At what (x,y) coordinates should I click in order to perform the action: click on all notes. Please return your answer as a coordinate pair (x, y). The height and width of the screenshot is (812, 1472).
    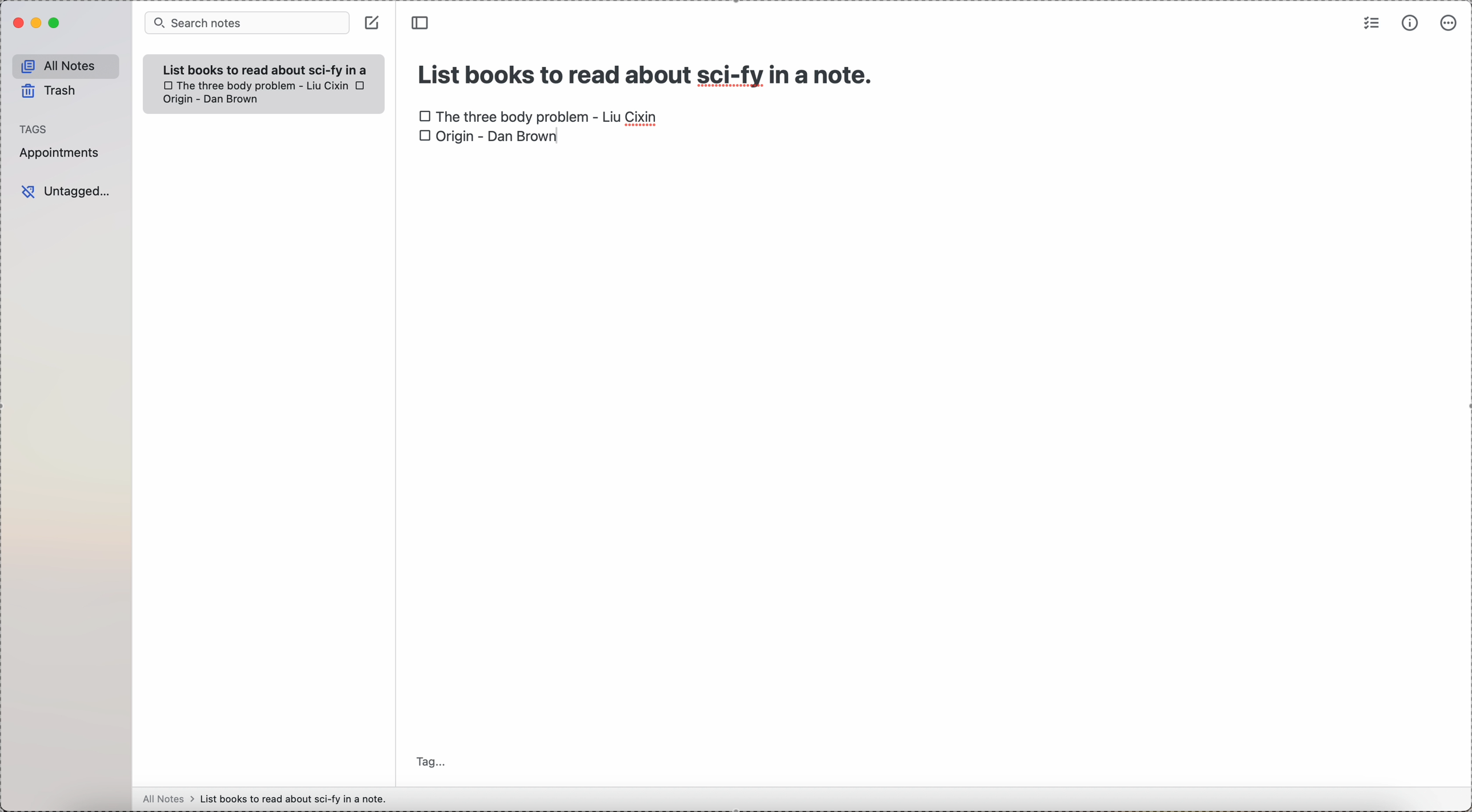
    Looking at the image, I should click on (63, 64).